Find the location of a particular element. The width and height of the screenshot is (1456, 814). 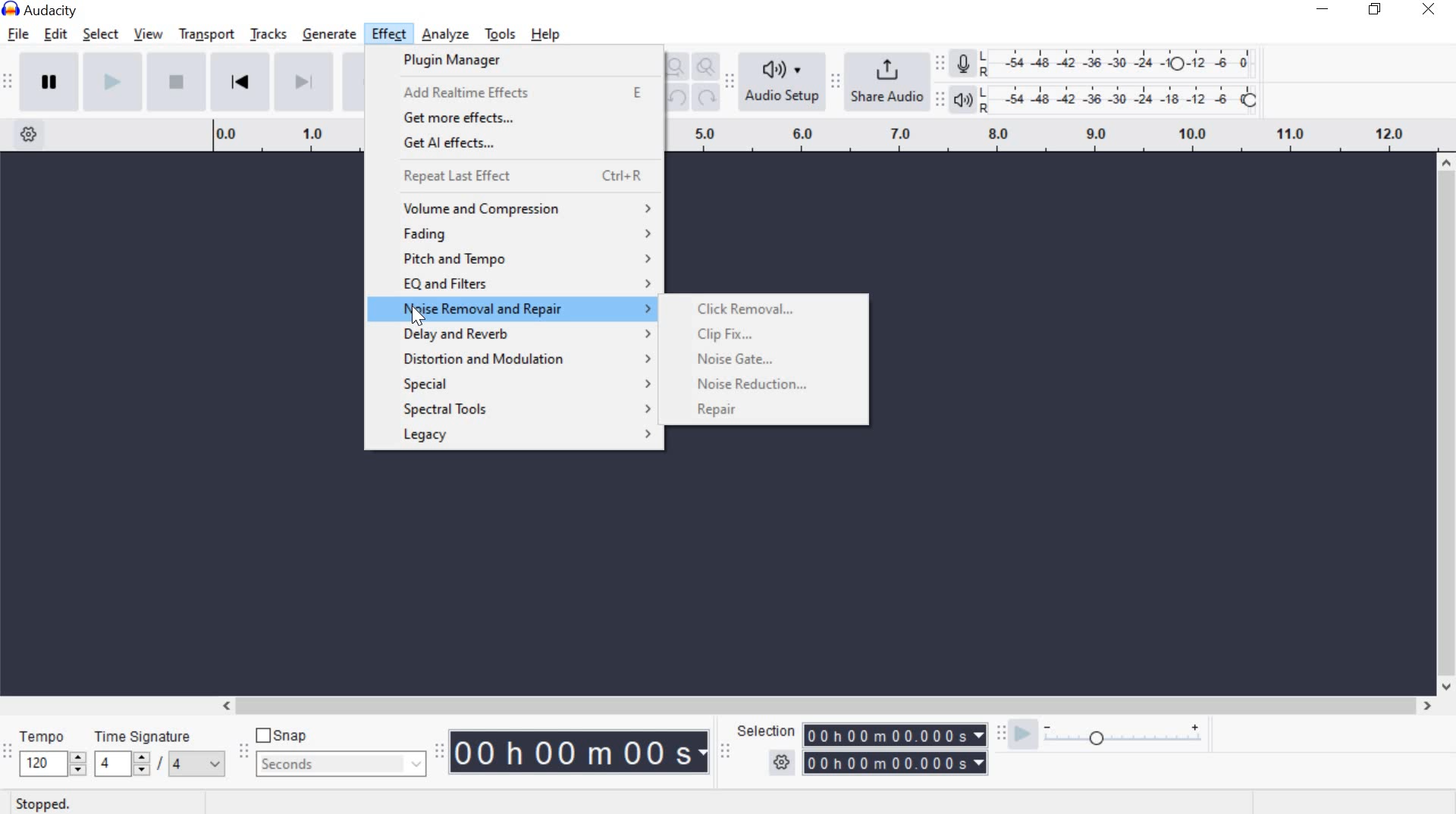

effect is located at coordinates (388, 35).